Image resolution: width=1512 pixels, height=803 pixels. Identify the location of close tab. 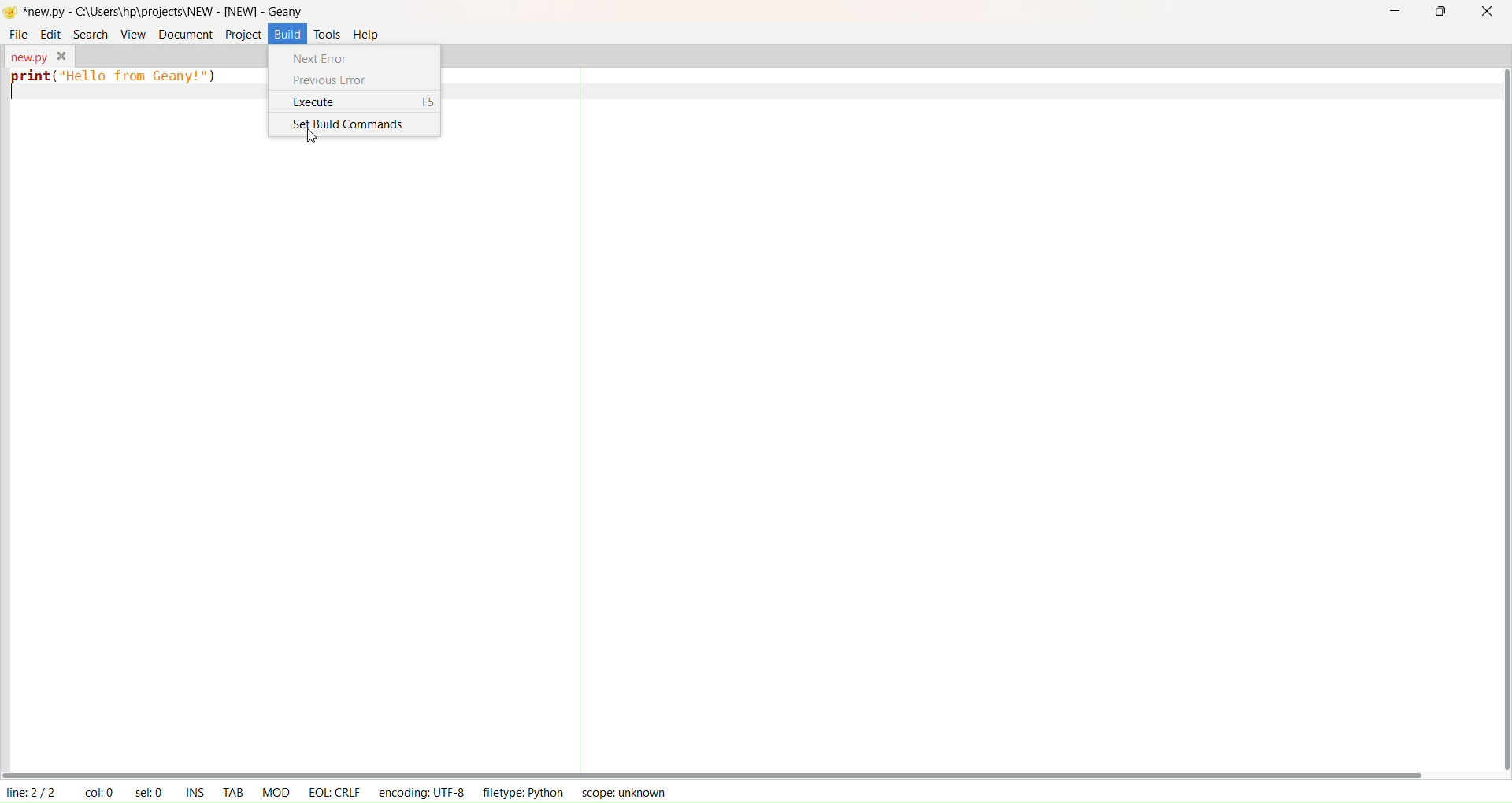
(62, 56).